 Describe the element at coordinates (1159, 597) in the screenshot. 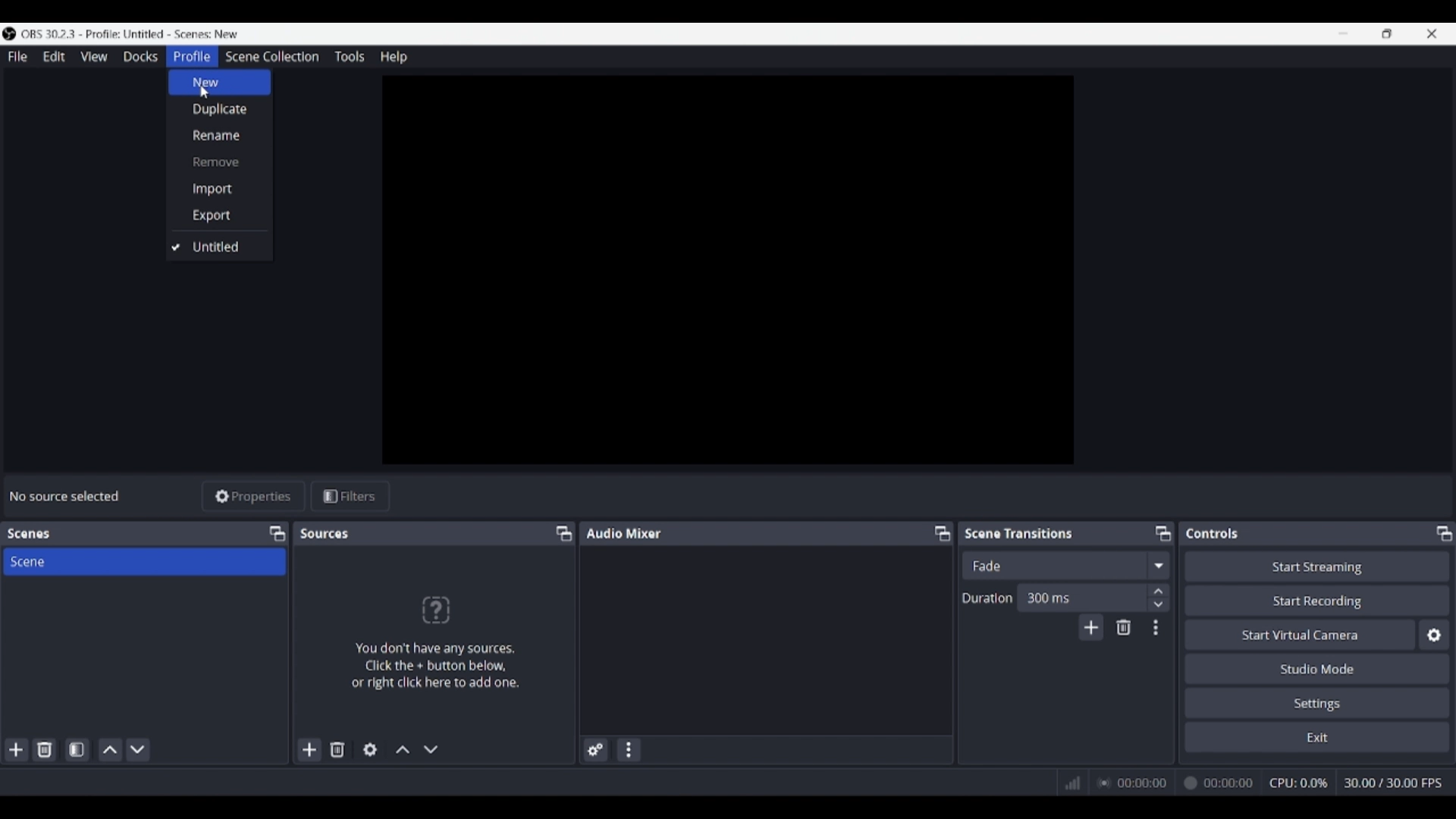

I see `Increase/Decrease duration` at that location.